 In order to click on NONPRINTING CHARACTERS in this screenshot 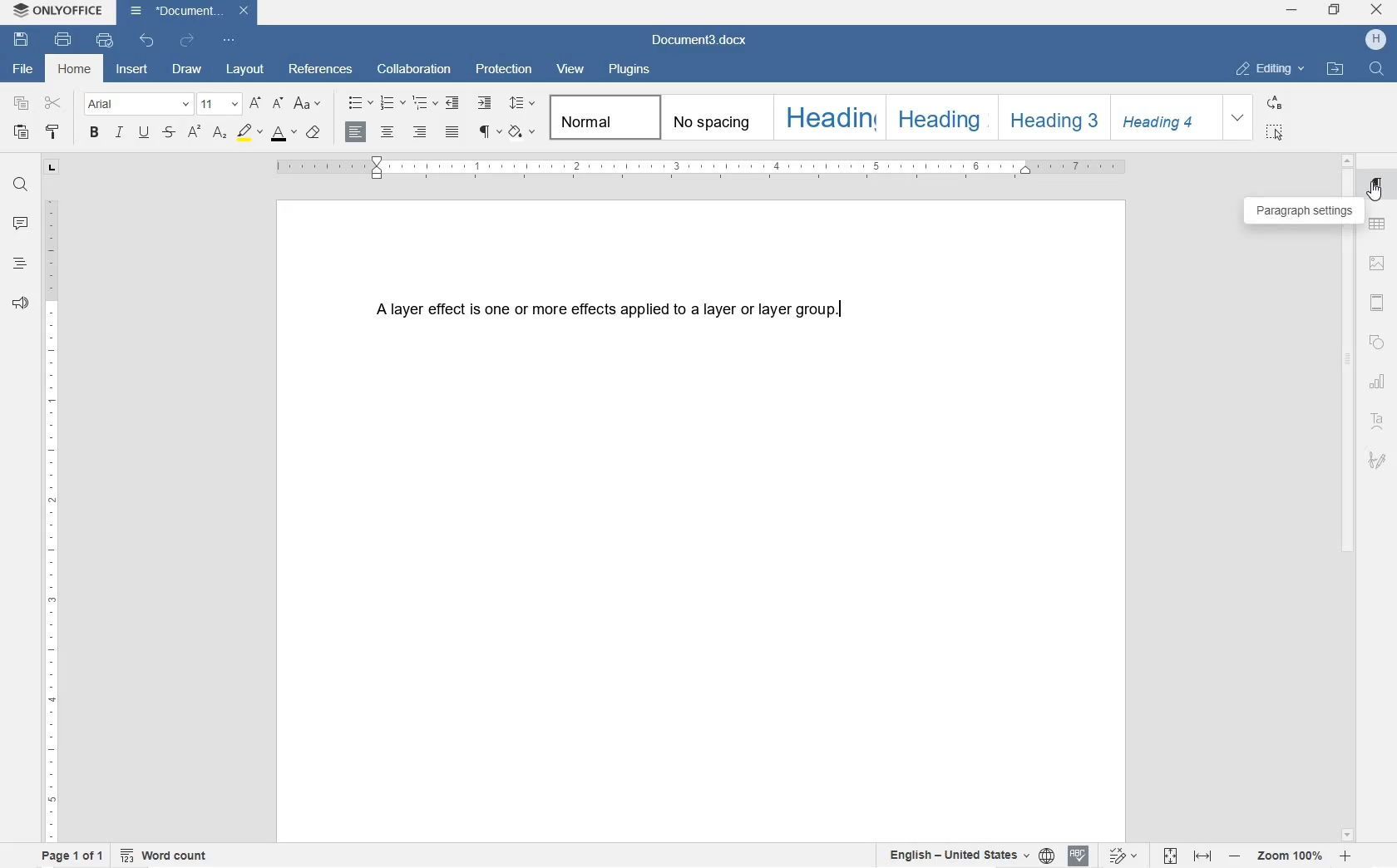, I will do `click(490, 132)`.